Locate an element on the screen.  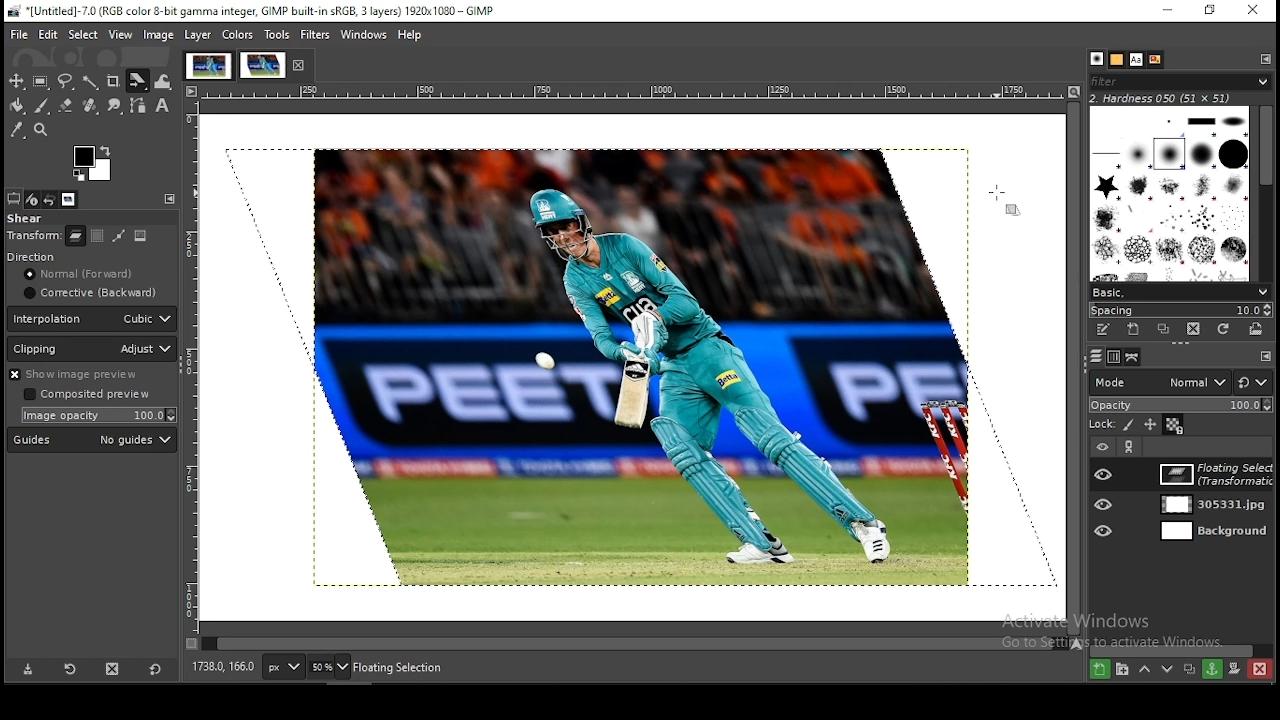
fuzzy selection tool is located at coordinates (93, 83).